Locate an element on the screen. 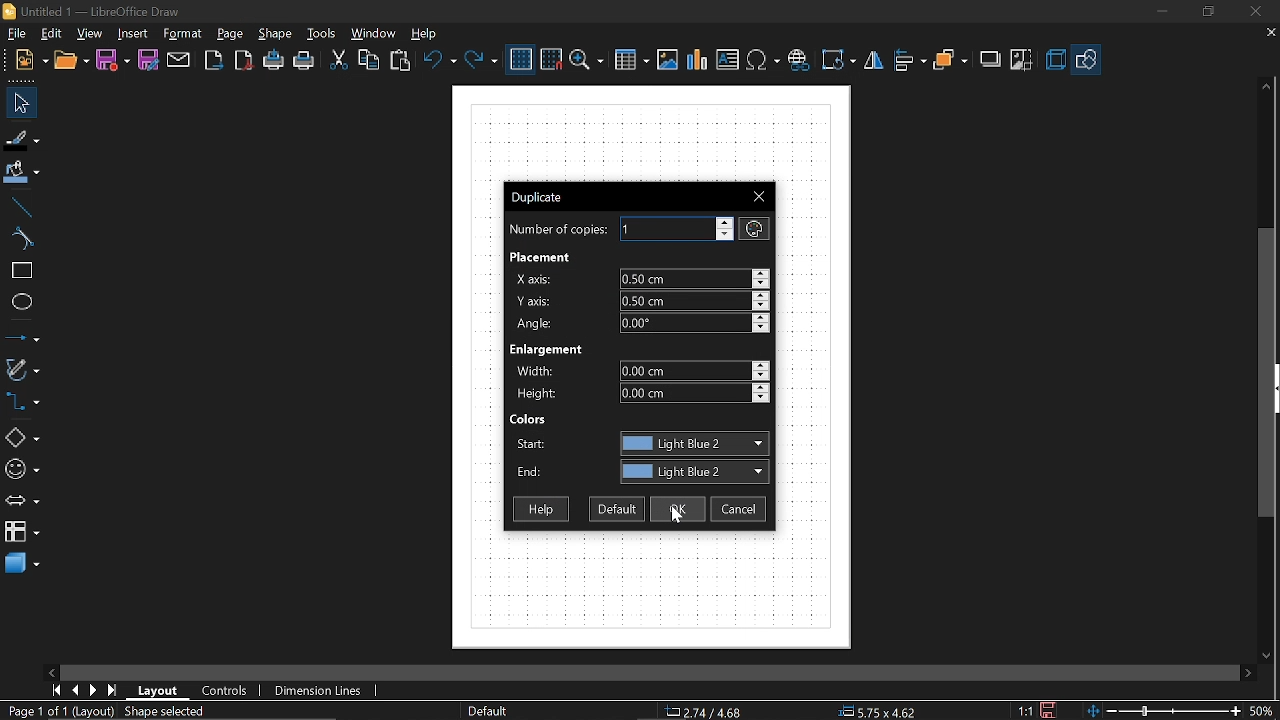 This screenshot has width=1280, height=720. Start is located at coordinates (531, 444).